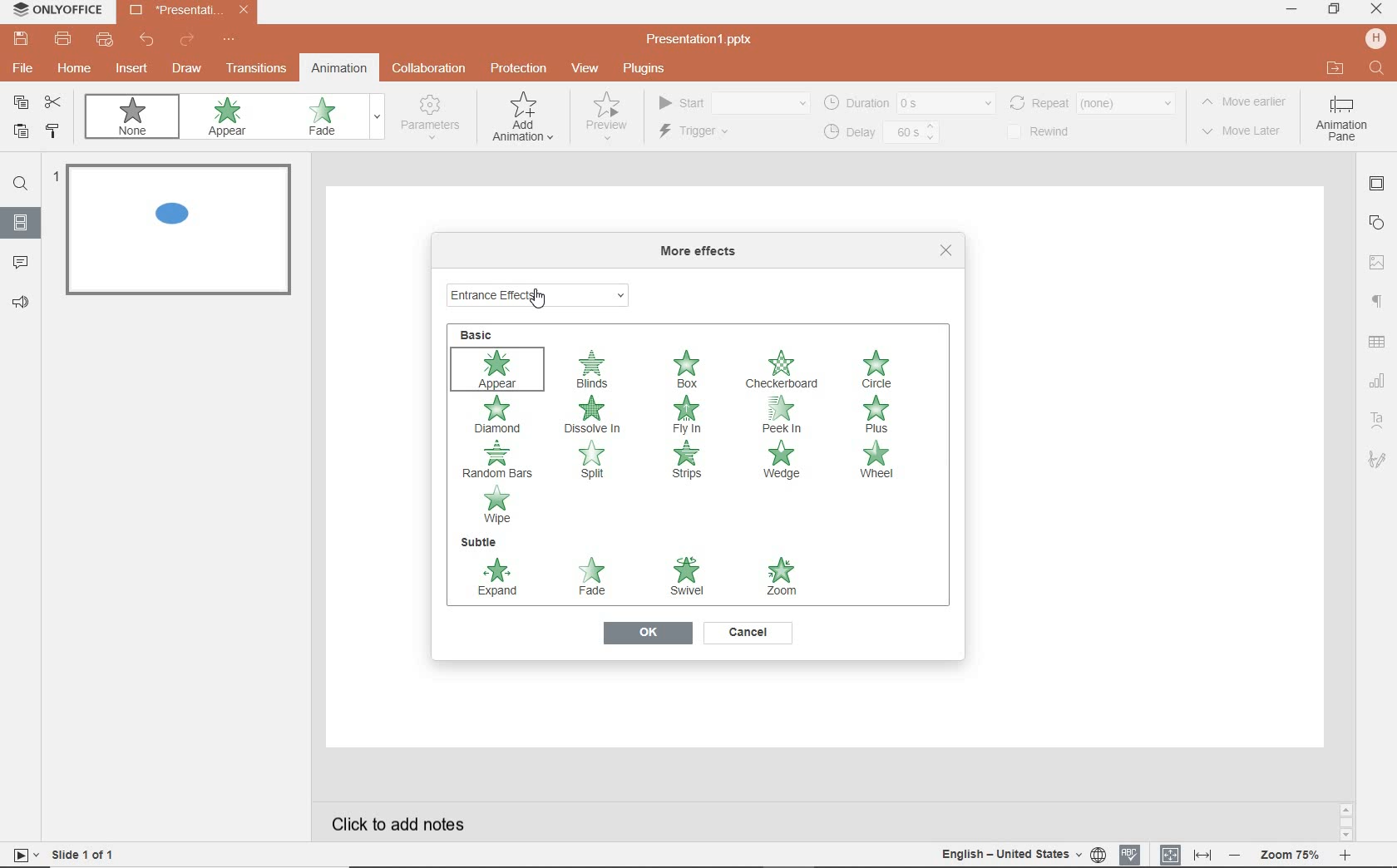 This screenshot has height=868, width=1397. I want to click on parameters, so click(434, 118).